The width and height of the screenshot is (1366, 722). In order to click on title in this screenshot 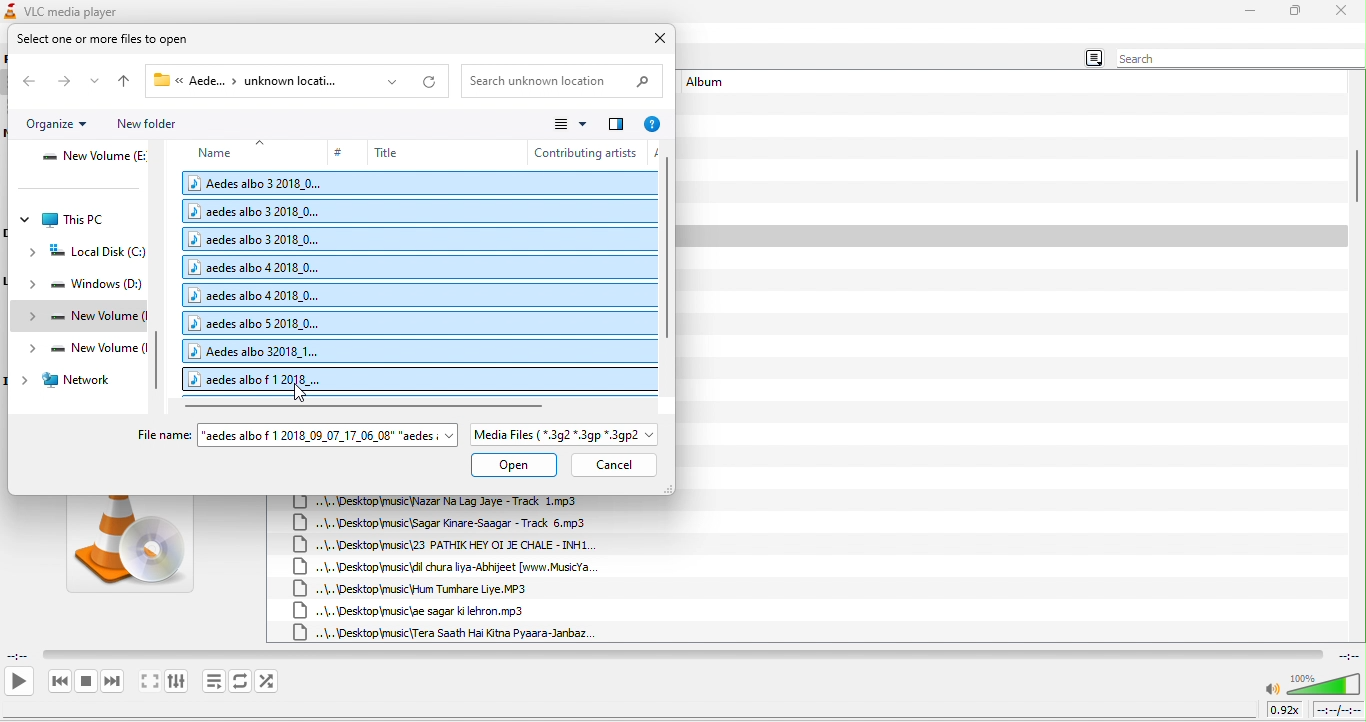, I will do `click(428, 152)`.